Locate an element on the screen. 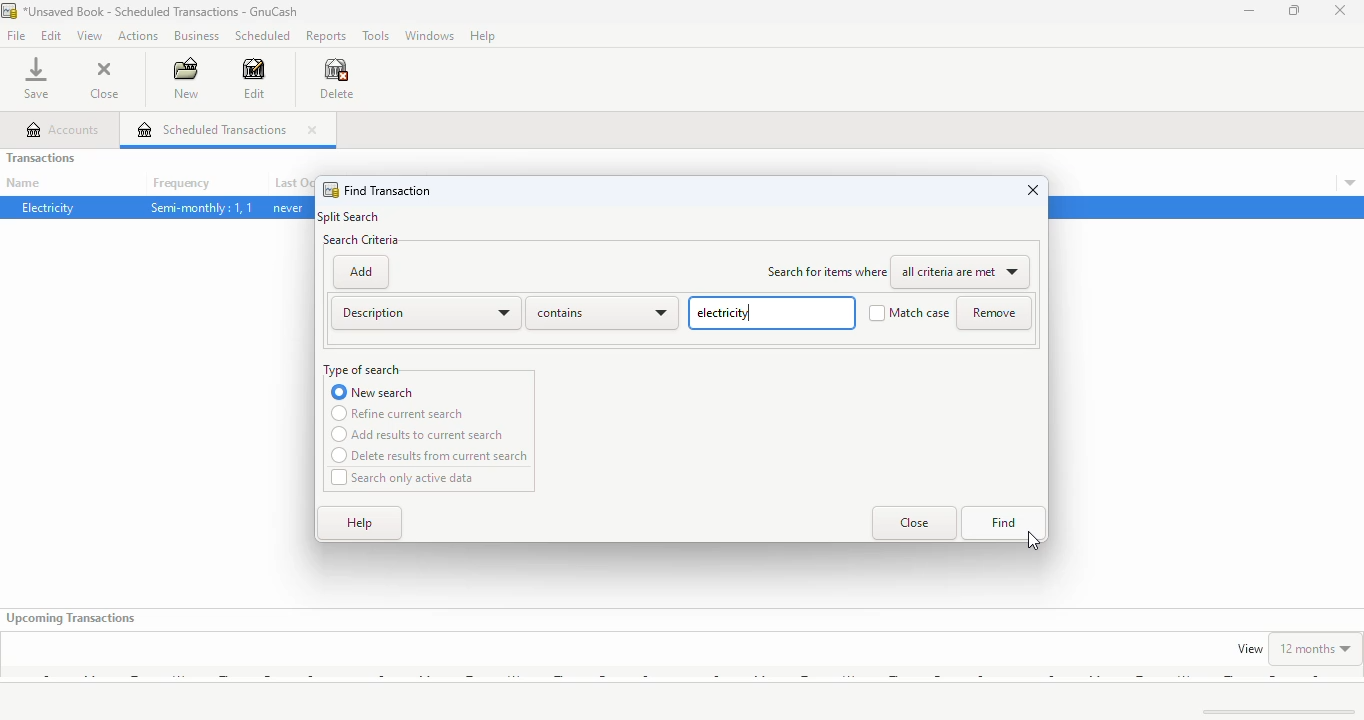 This screenshot has height=720, width=1364. search only active data is located at coordinates (404, 478).